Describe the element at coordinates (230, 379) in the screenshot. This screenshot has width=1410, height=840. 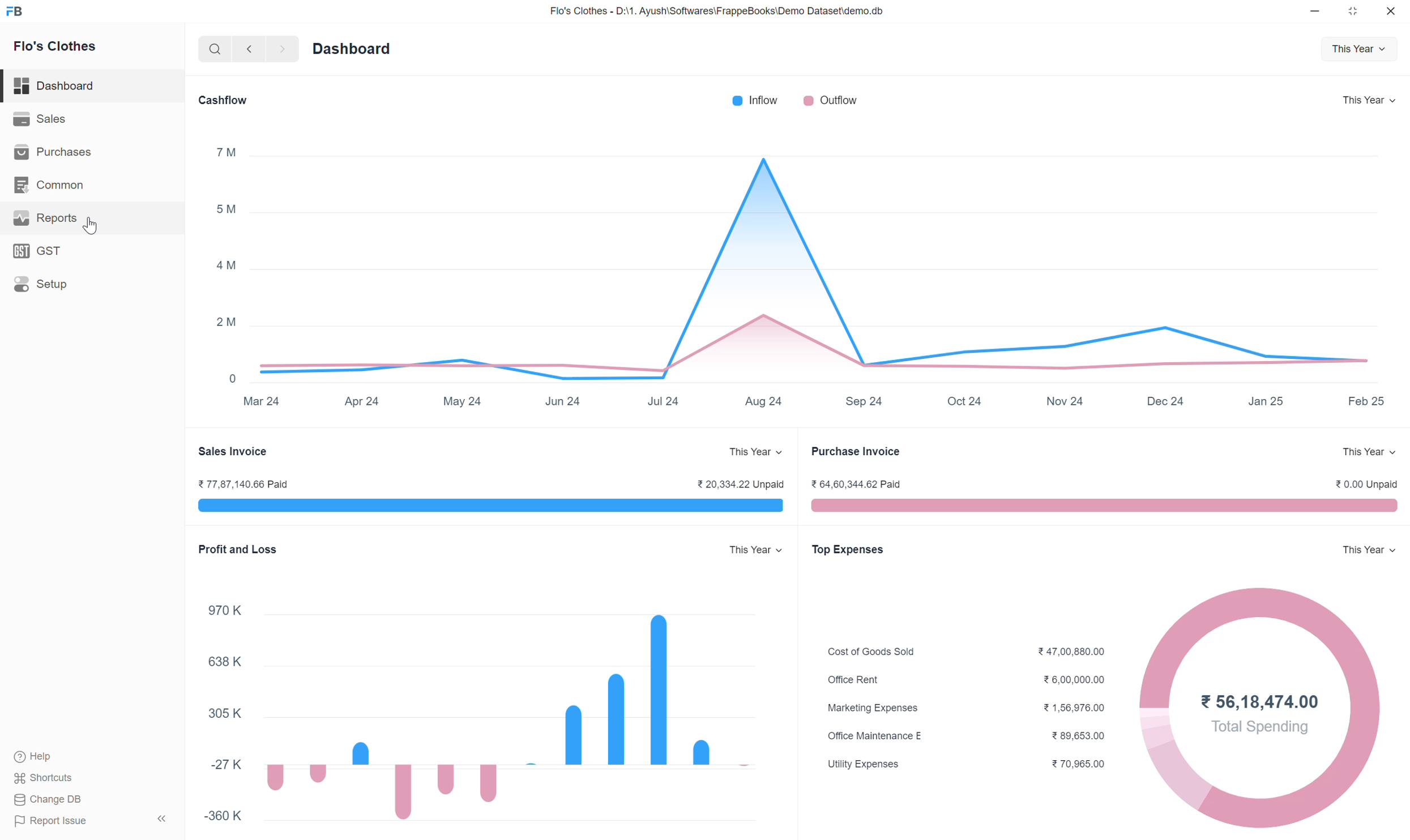
I see `0` at that location.